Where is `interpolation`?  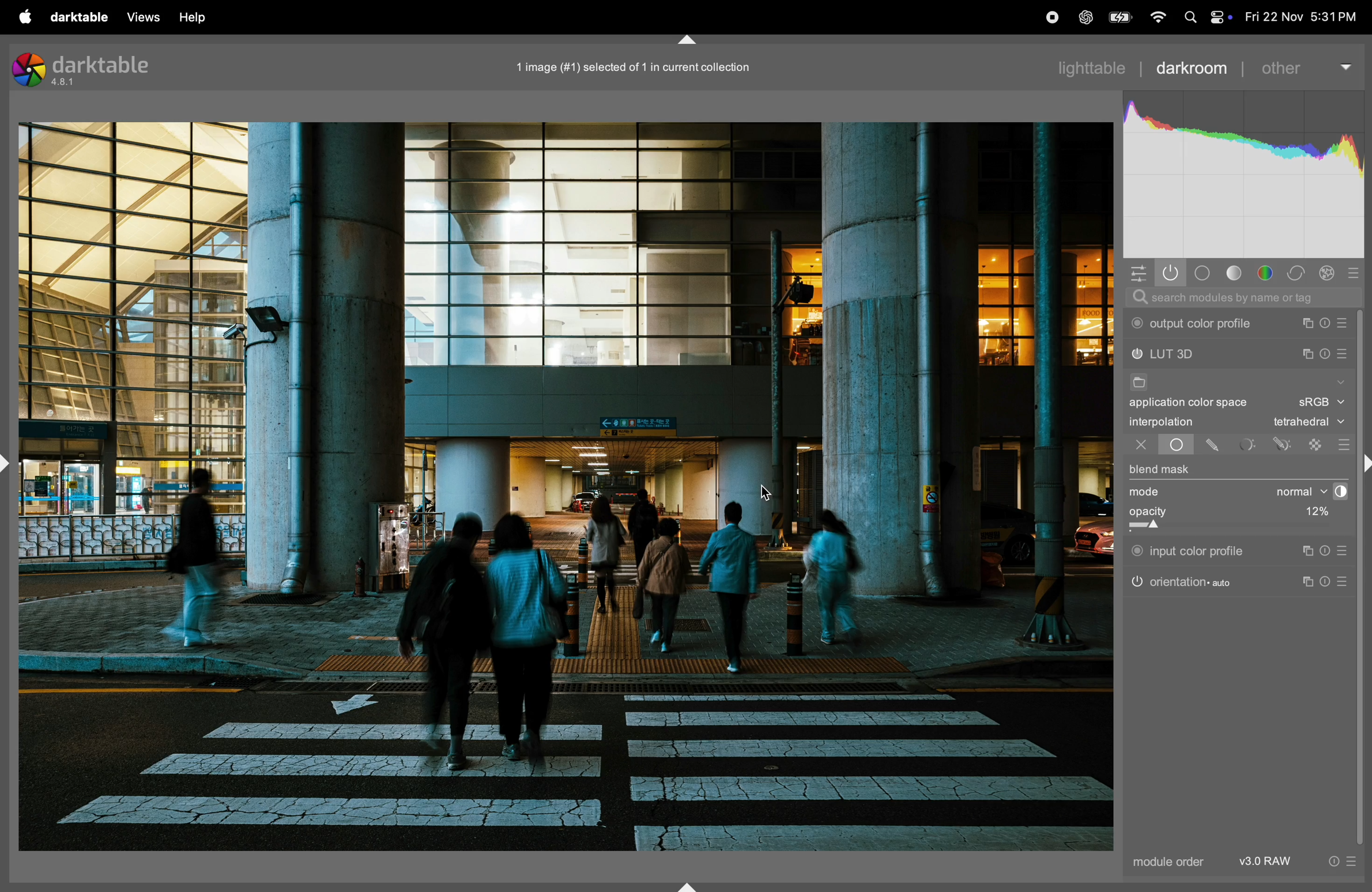 interpolation is located at coordinates (1162, 422).